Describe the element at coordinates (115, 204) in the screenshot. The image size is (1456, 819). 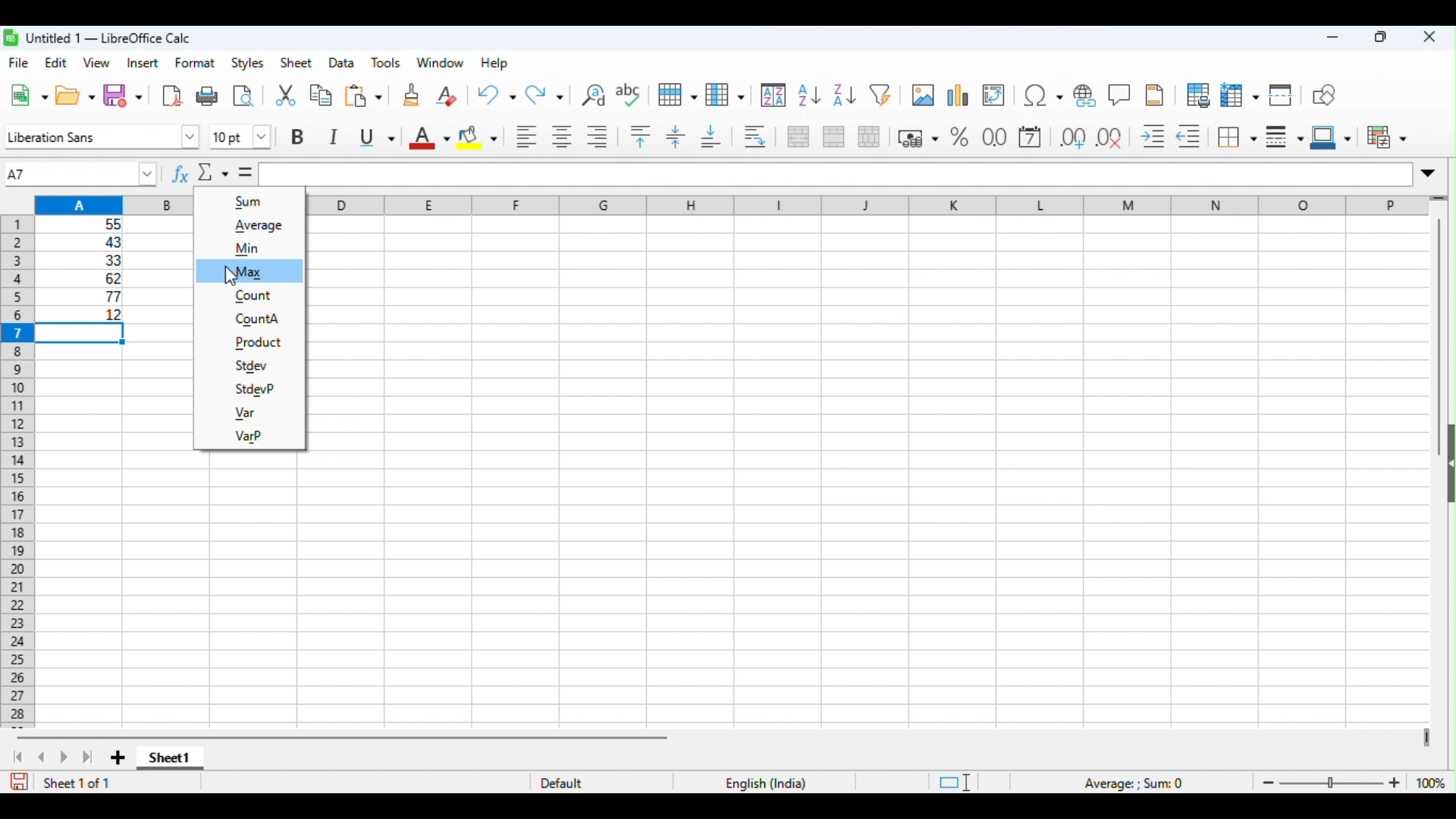
I see `column headings` at that location.